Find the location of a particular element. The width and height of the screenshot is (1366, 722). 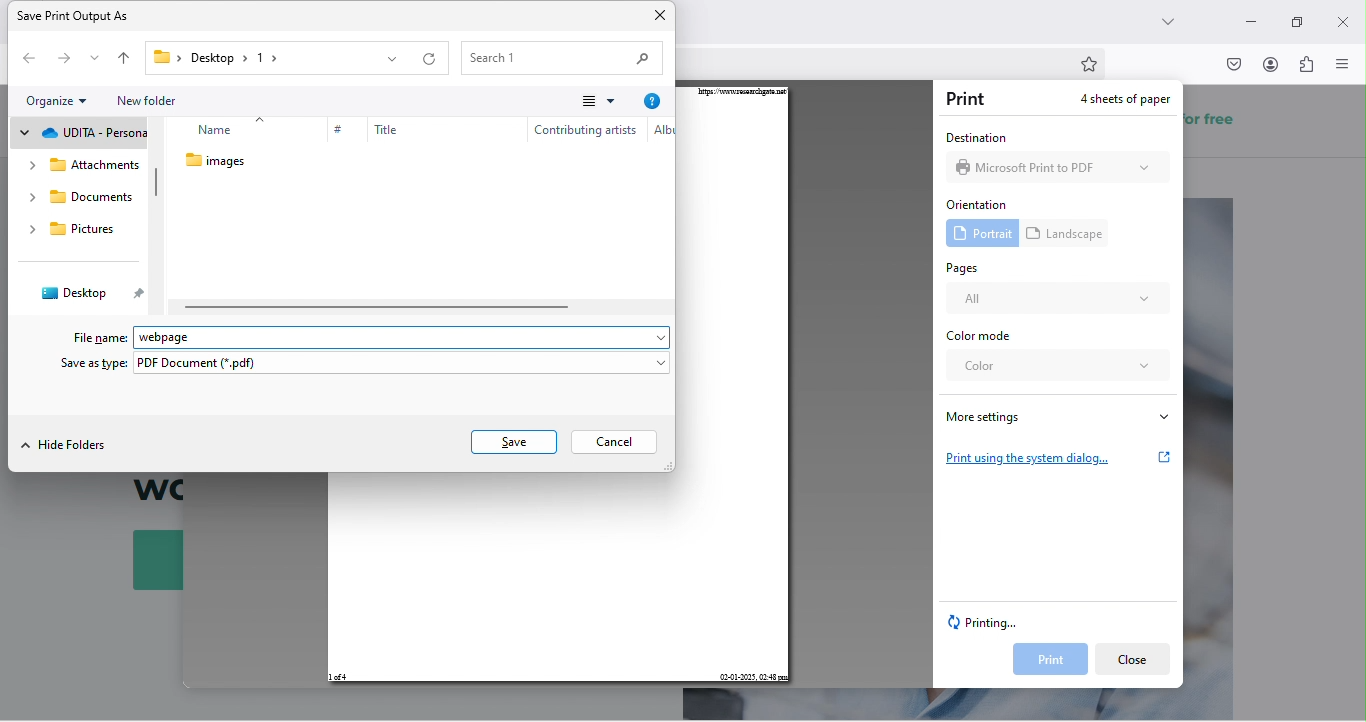

extension is located at coordinates (1308, 69).